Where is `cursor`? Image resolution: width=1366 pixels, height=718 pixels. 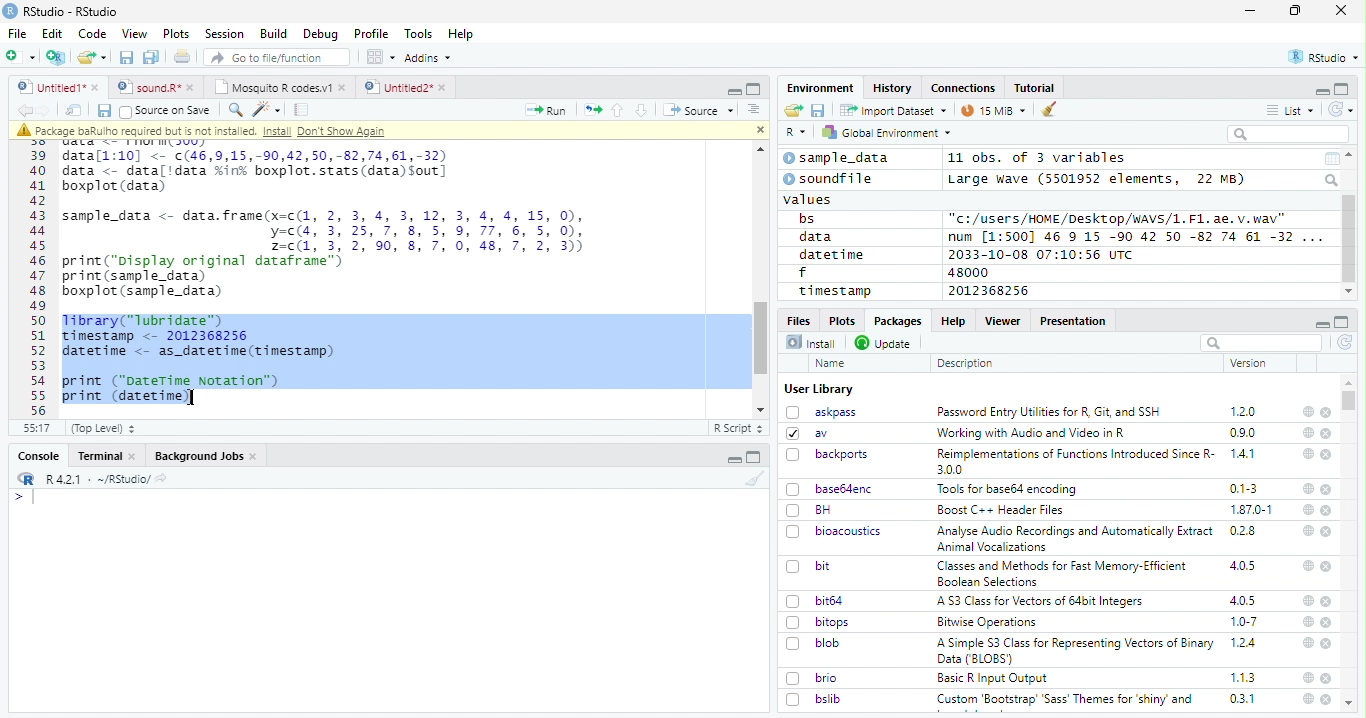 cursor is located at coordinates (195, 398).